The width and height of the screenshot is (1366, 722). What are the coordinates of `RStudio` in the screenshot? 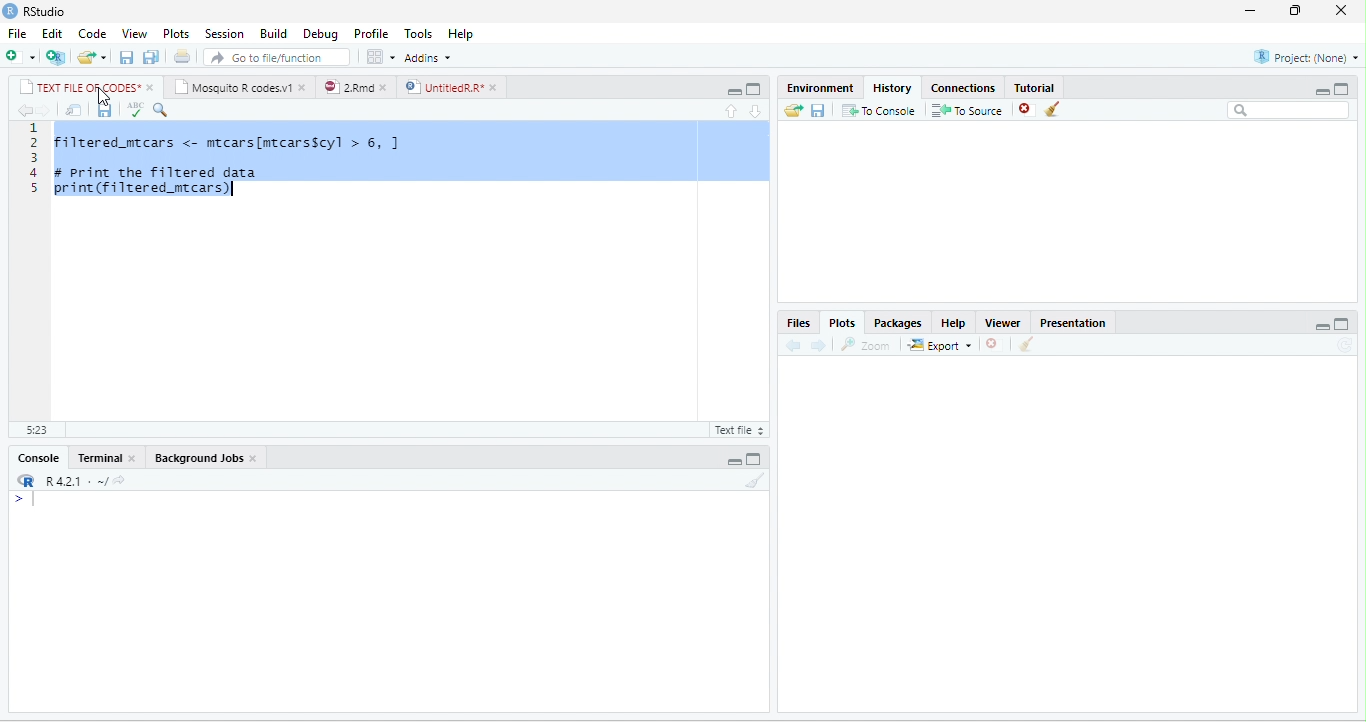 It's located at (44, 11).